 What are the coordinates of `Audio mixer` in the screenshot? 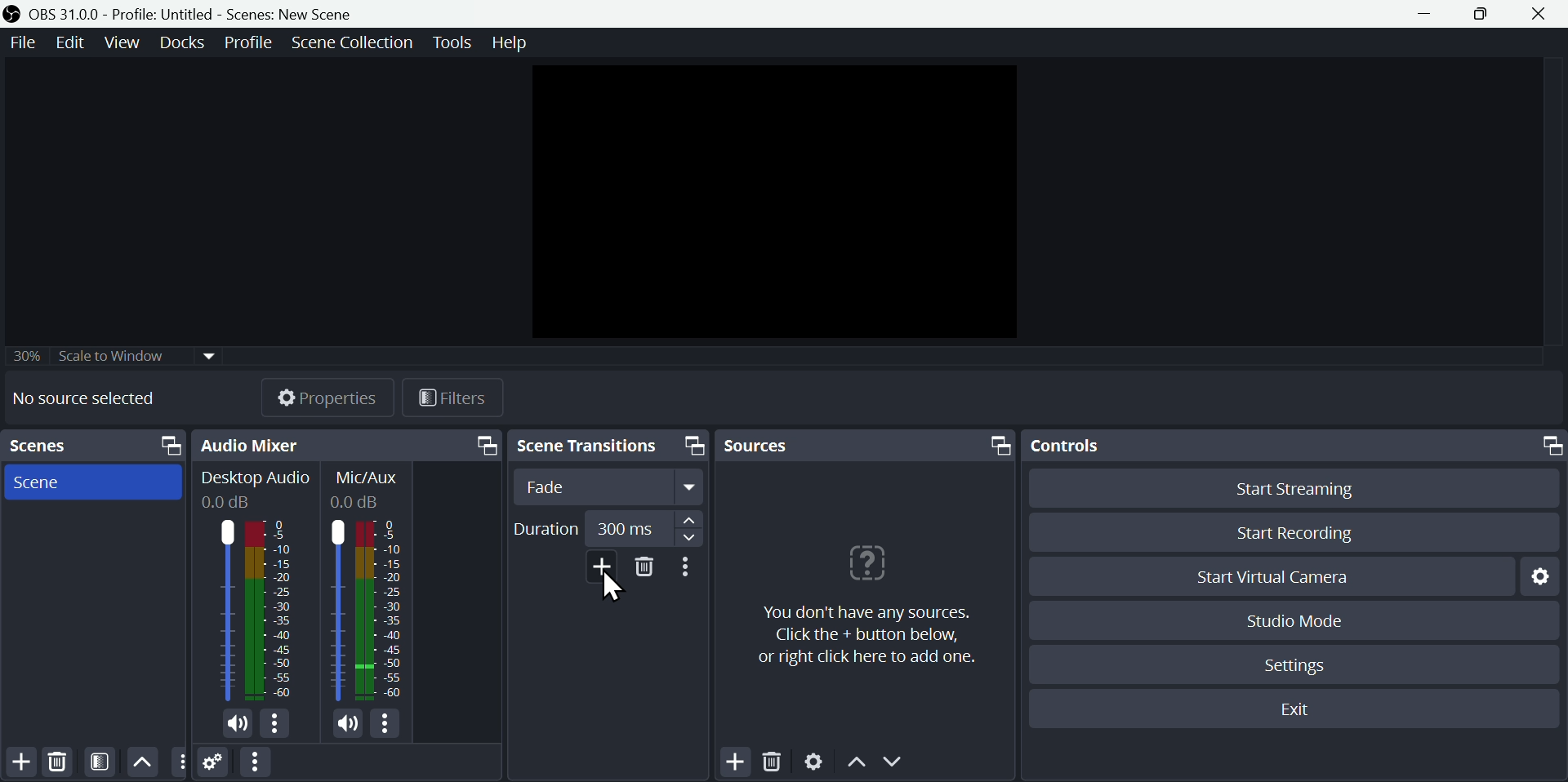 It's located at (350, 443).